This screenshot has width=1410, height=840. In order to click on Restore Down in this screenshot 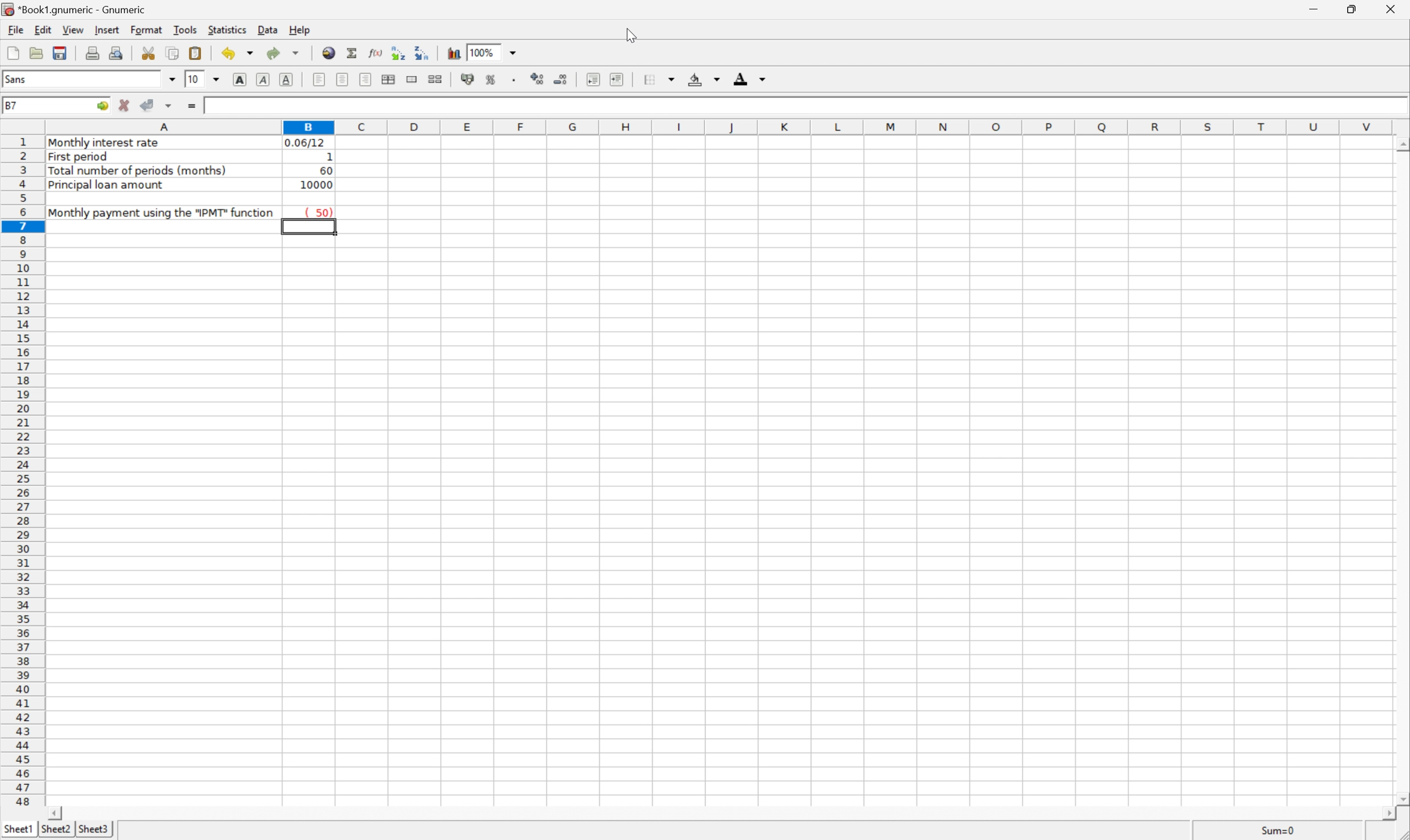, I will do `click(1352, 8)`.